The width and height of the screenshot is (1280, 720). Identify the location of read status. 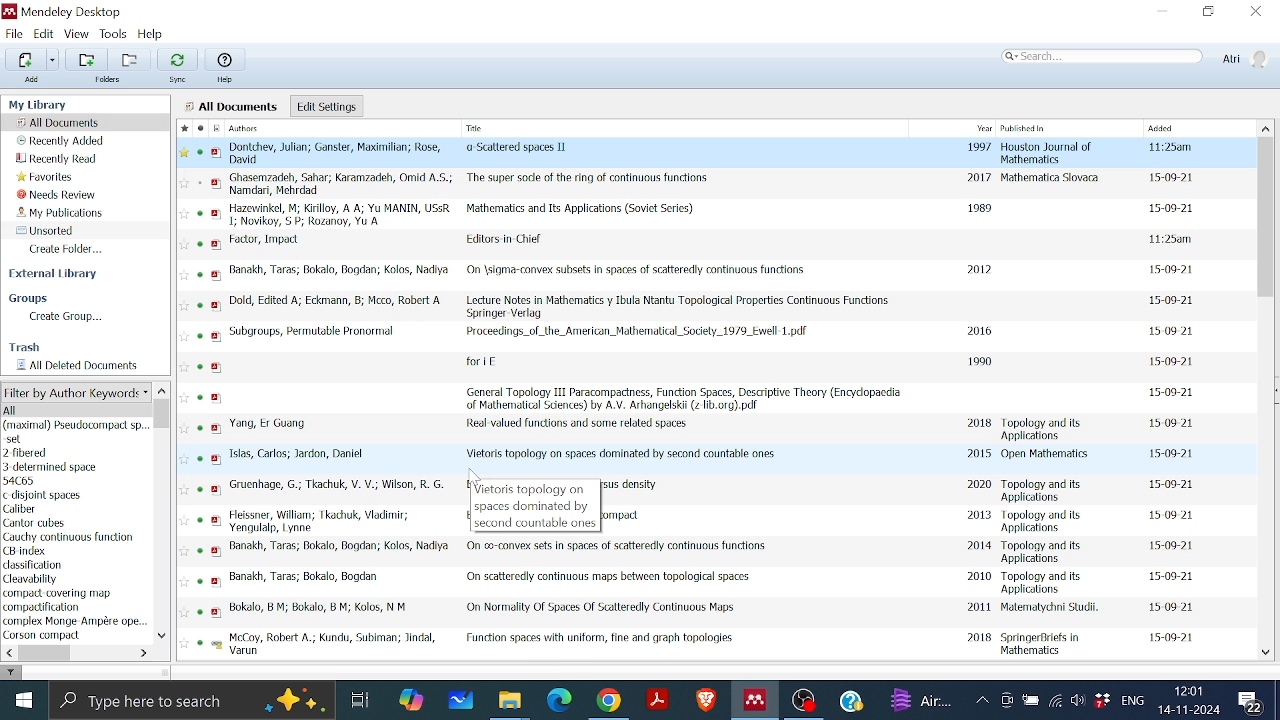
(202, 430).